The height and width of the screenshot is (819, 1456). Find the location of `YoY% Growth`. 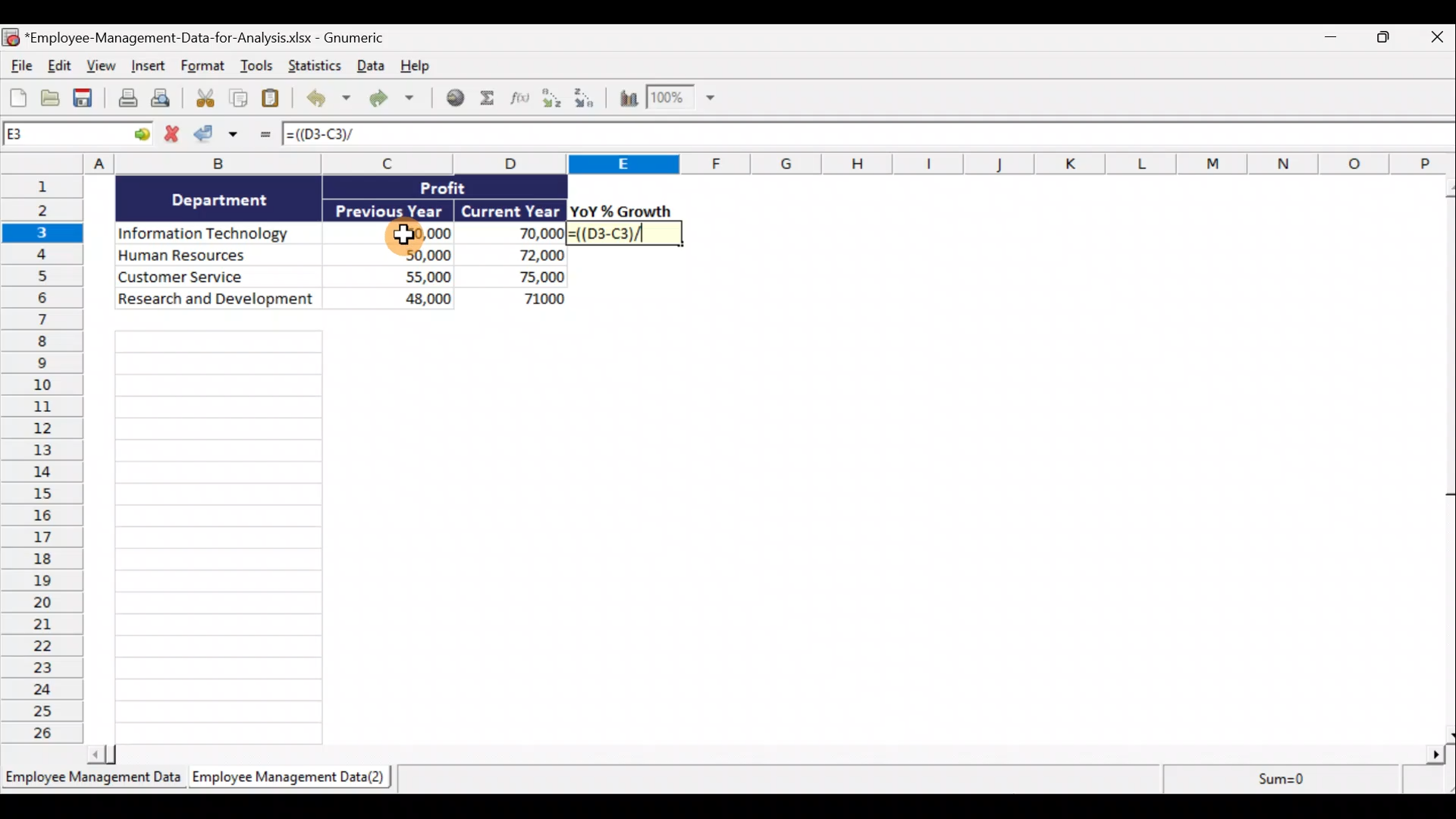

YoY% Growth is located at coordinates (622, 211).